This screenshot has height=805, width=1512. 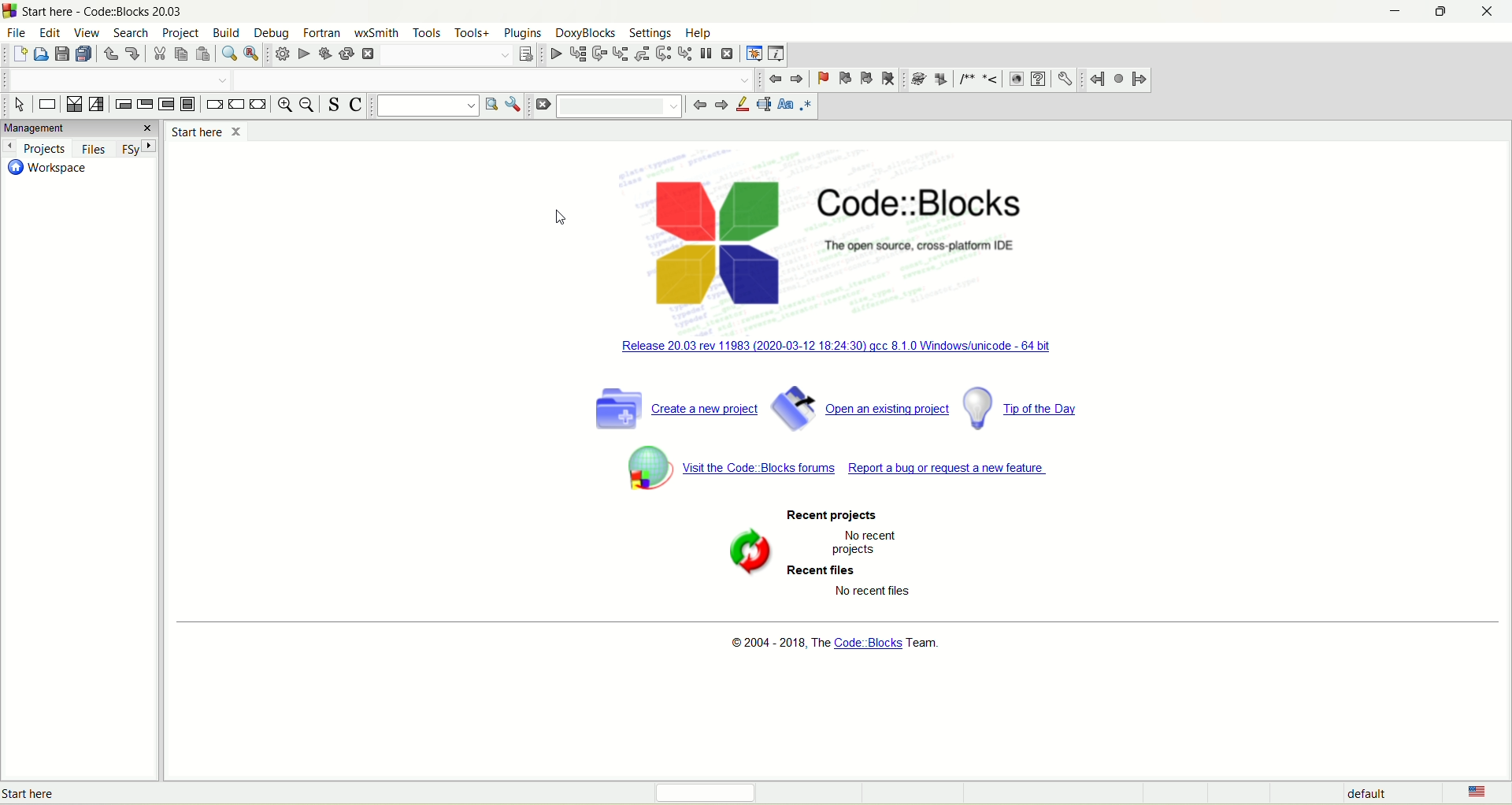 What do you see at coordinates (94, 148) in the screenshot?
I see `files` at bounding box center [94, 148].